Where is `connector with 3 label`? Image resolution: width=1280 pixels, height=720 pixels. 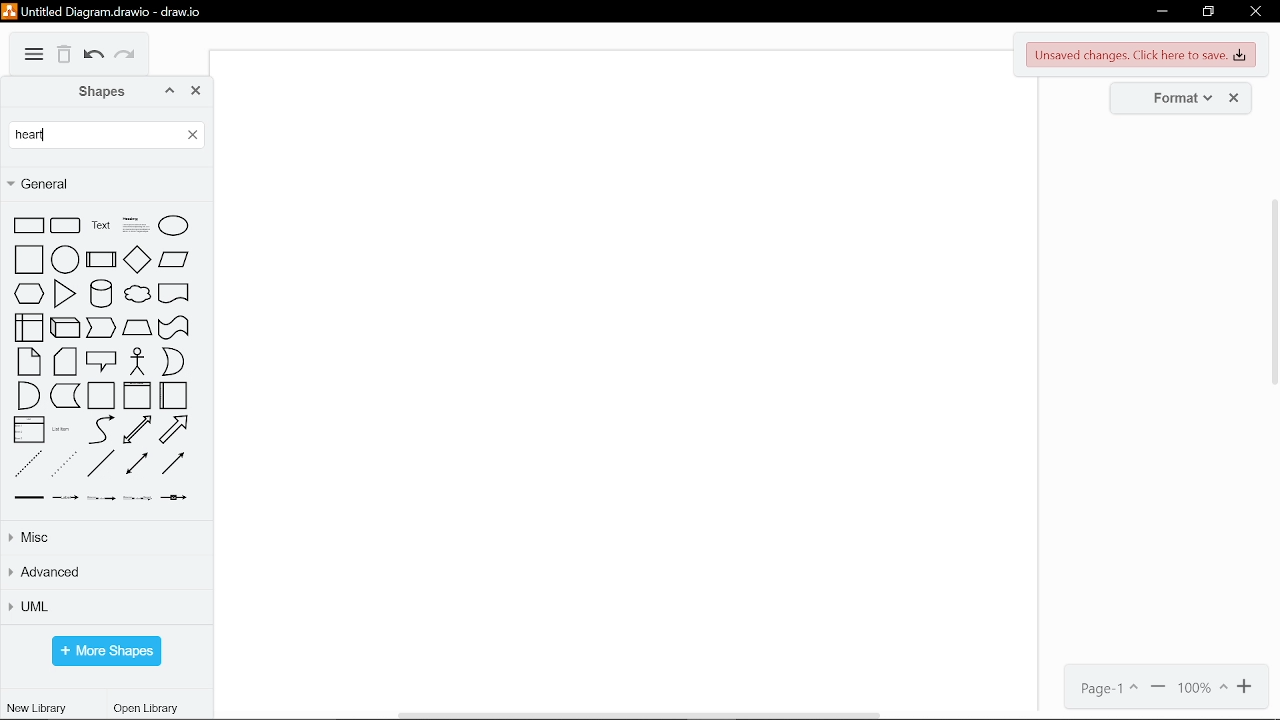
connector with 3 label is located at coordinates (138, 498).